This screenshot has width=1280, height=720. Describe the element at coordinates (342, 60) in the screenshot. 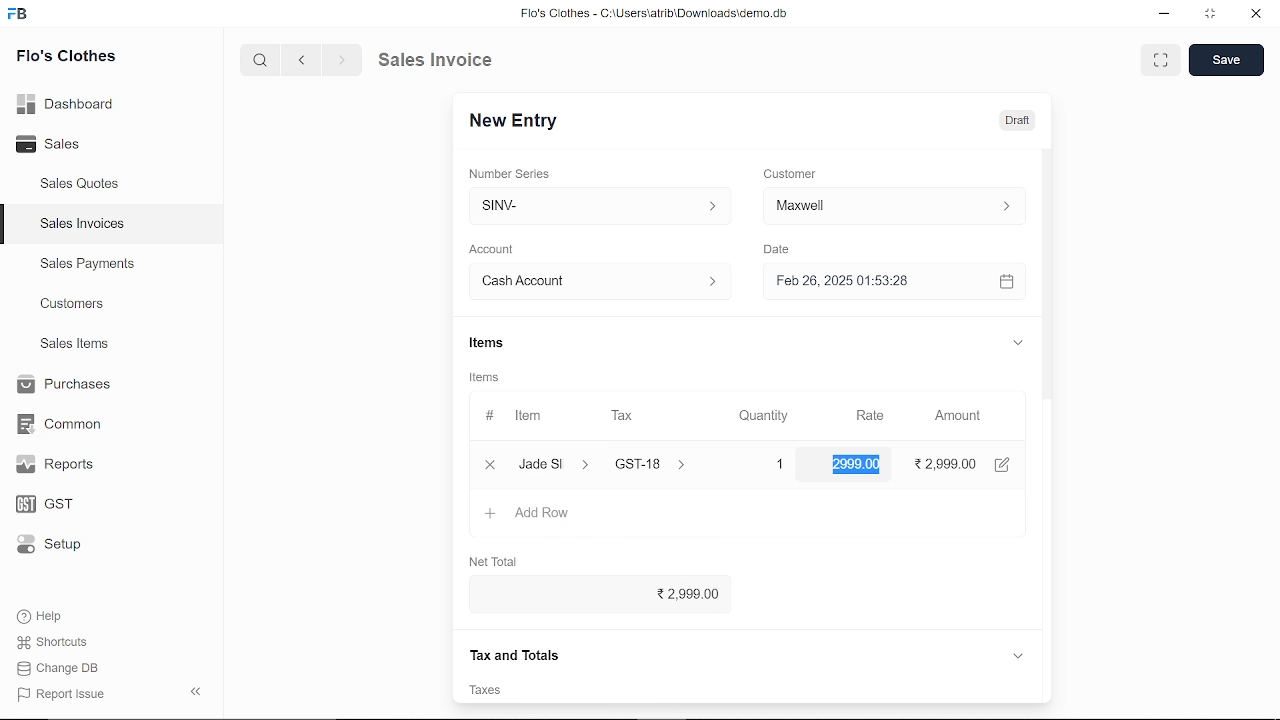

I see `next` at that location.